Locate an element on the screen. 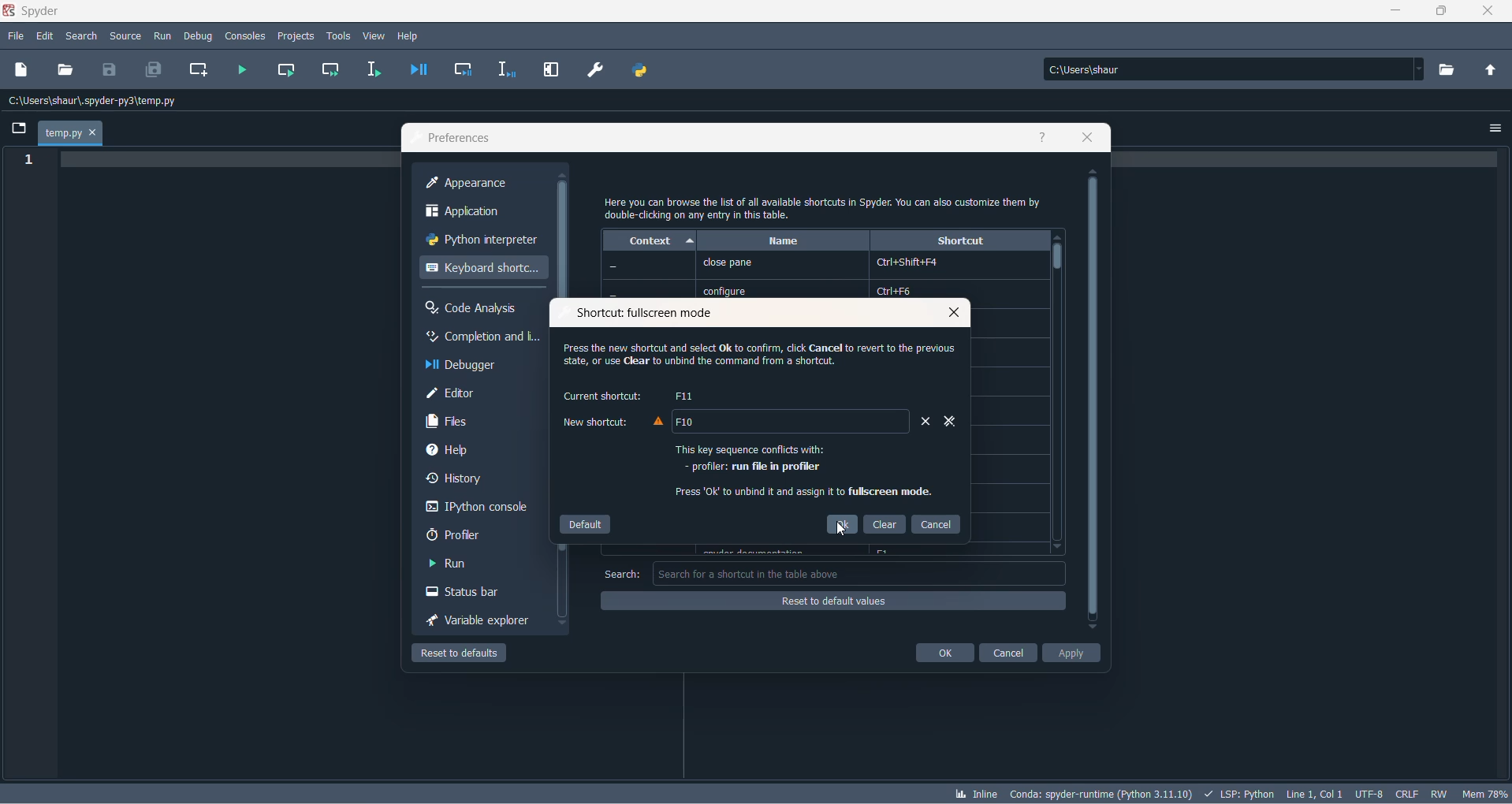 The height and width of the screenshot is (804, 1512). edit is located at coordinates (46, 36).